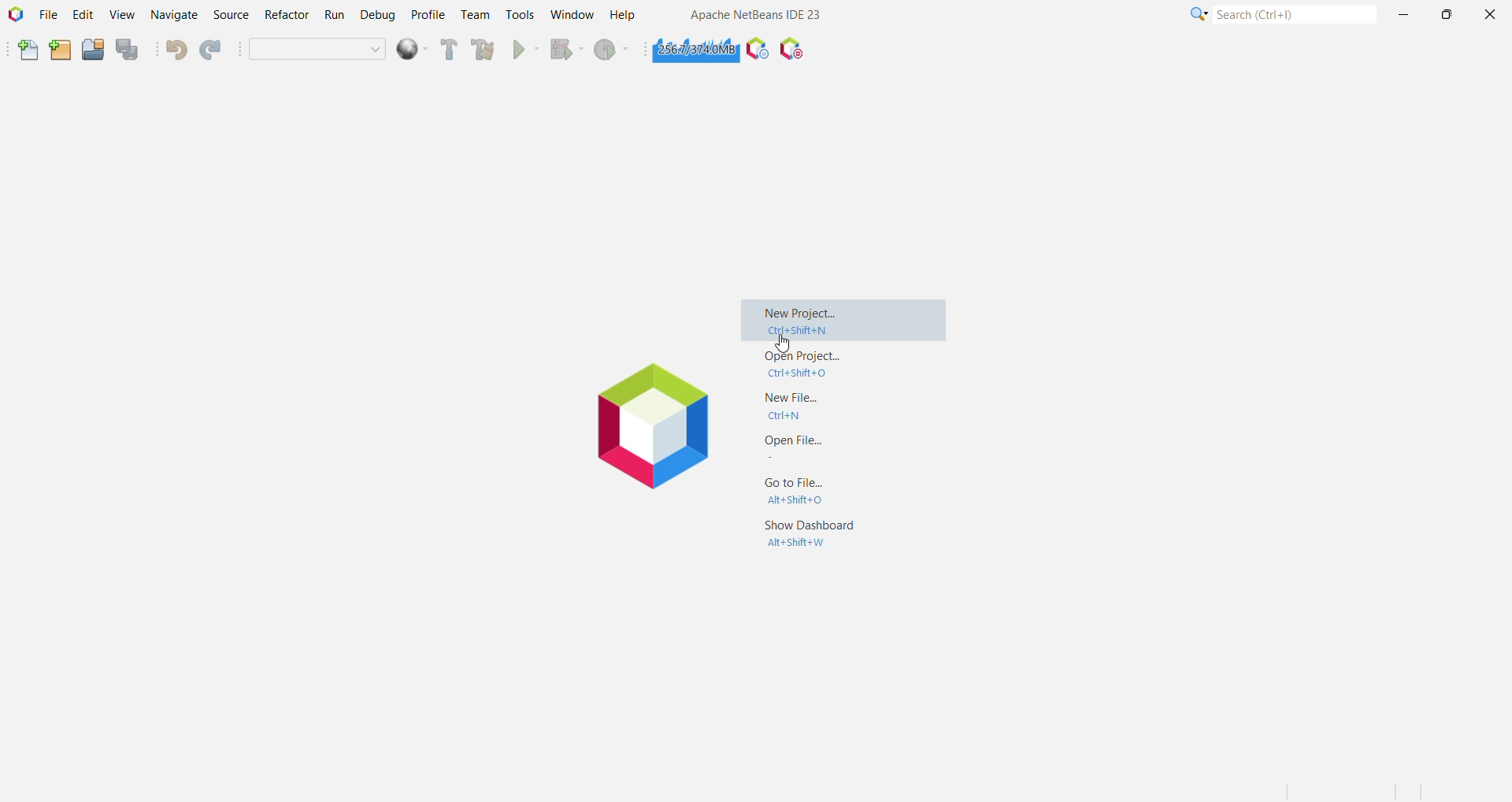 Image resolution: width=1512 pixels, height=802 pixels. What do you see at coordinates (845, 322) in the screenshot?
I see `New Project` at bounding box center [845, 322].